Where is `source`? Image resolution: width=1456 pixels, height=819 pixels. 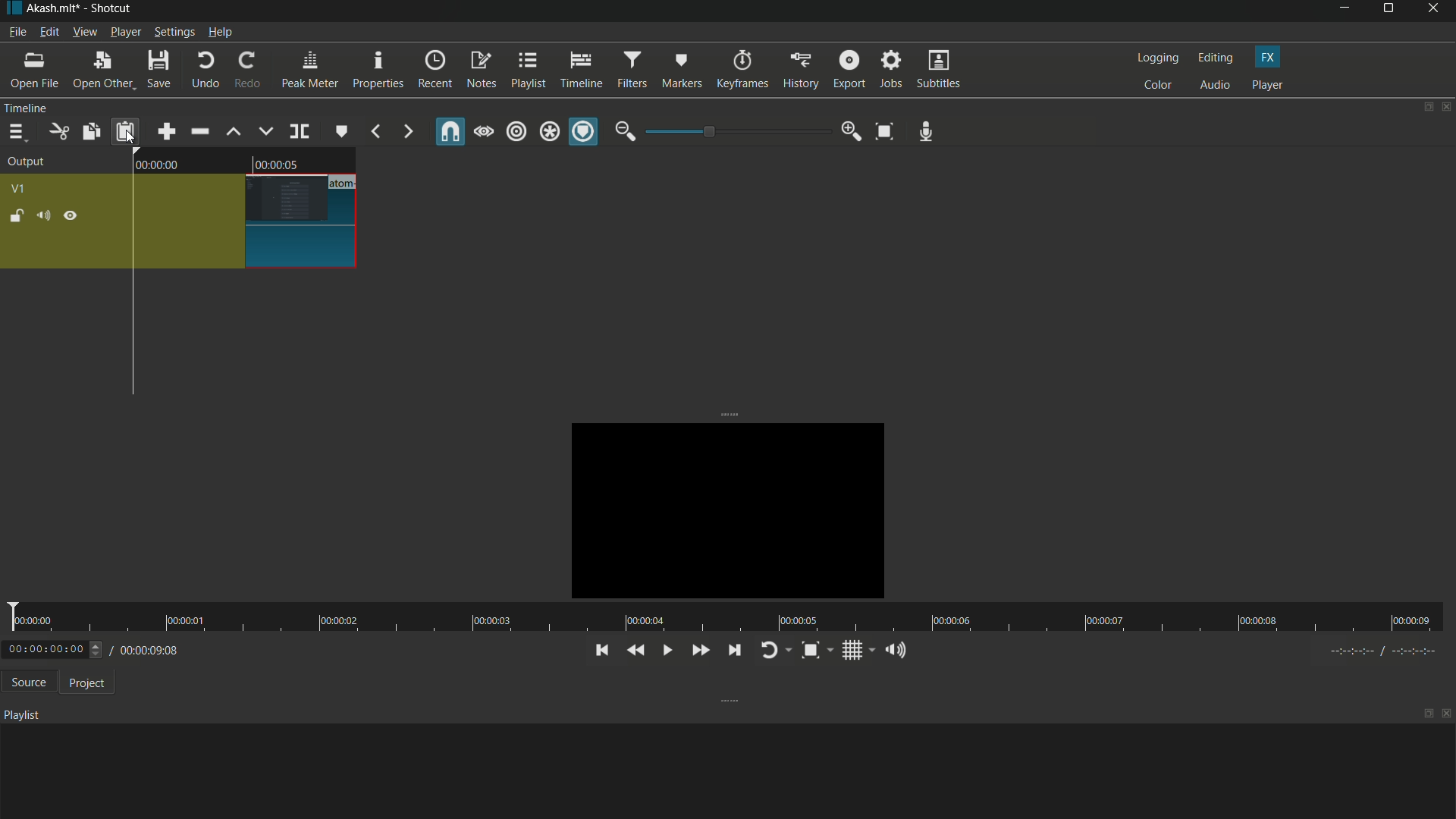
source is located at coordinates (25, 682).